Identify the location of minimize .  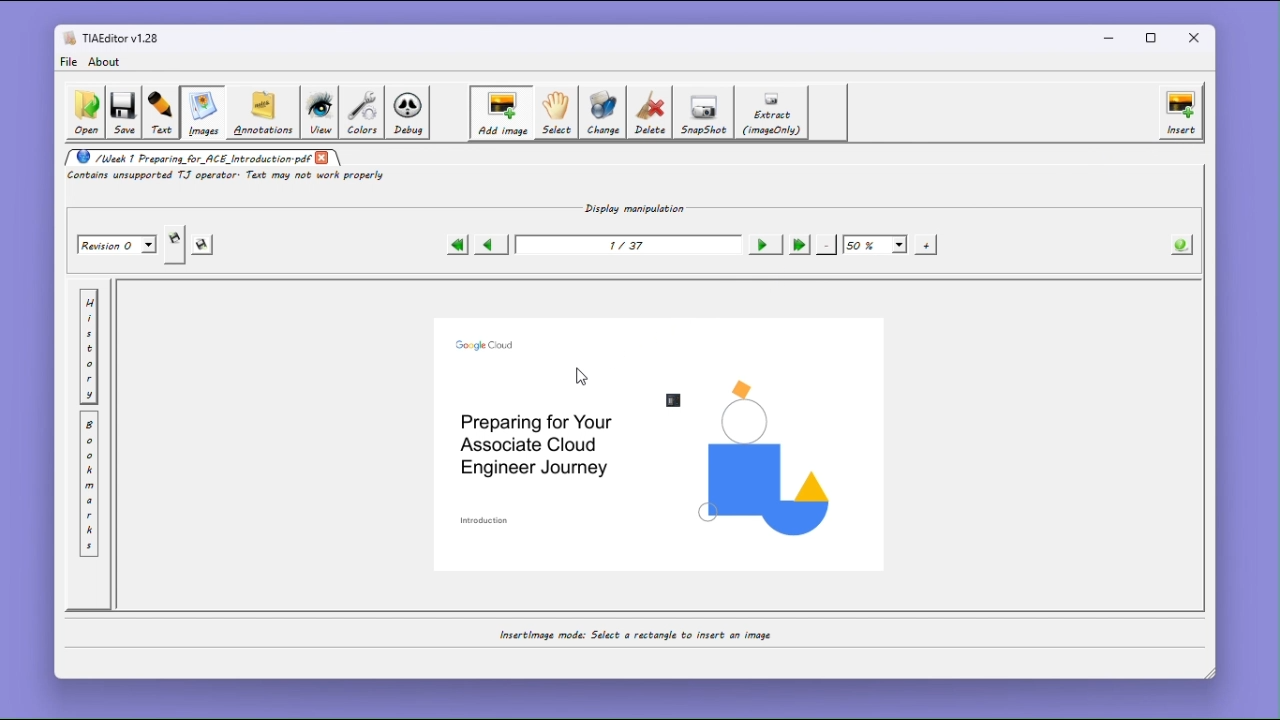
(1109, 37).